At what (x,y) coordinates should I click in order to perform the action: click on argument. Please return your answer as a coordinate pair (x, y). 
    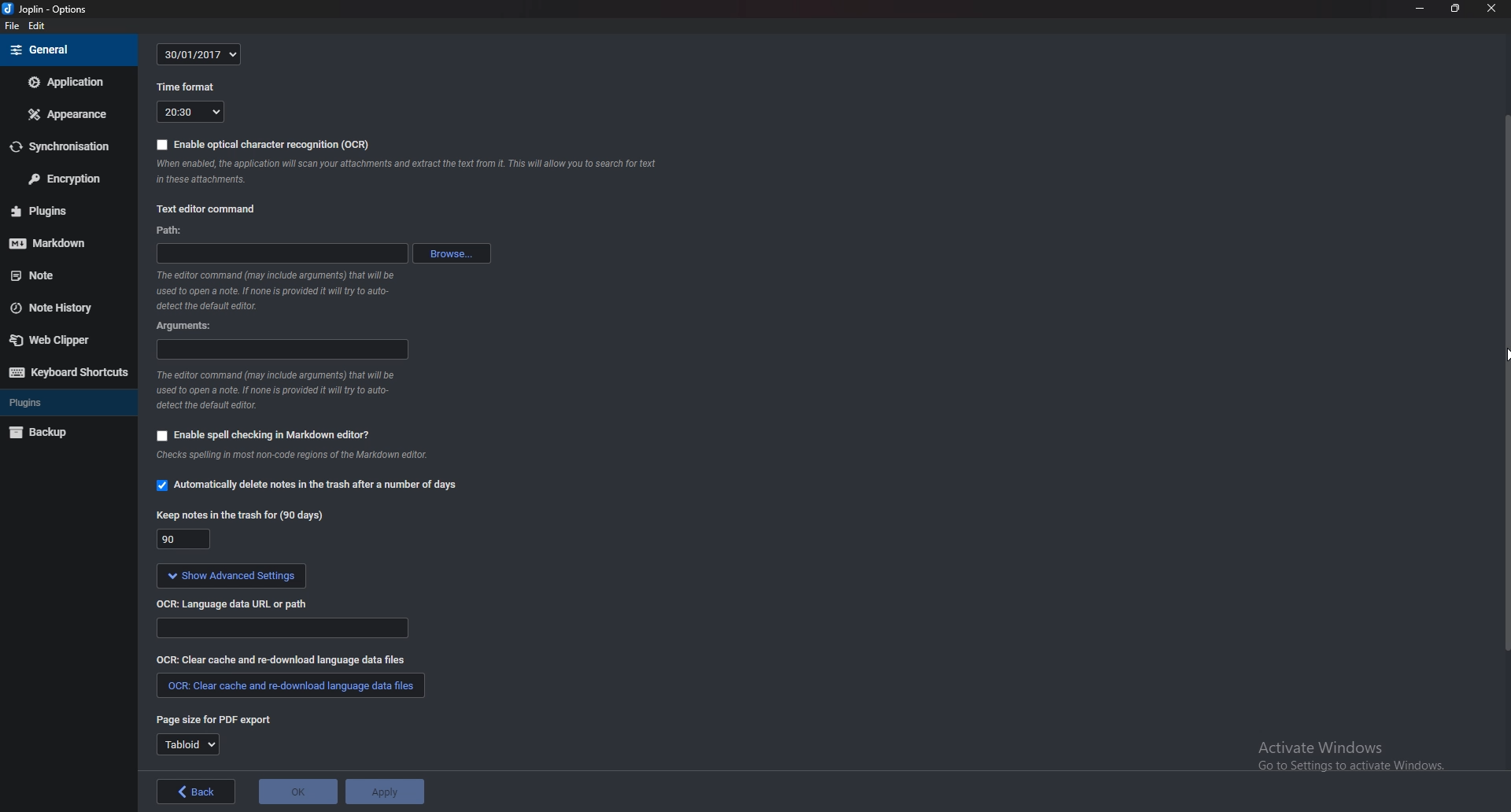
    Looking at the image, I should click on (189, 327).